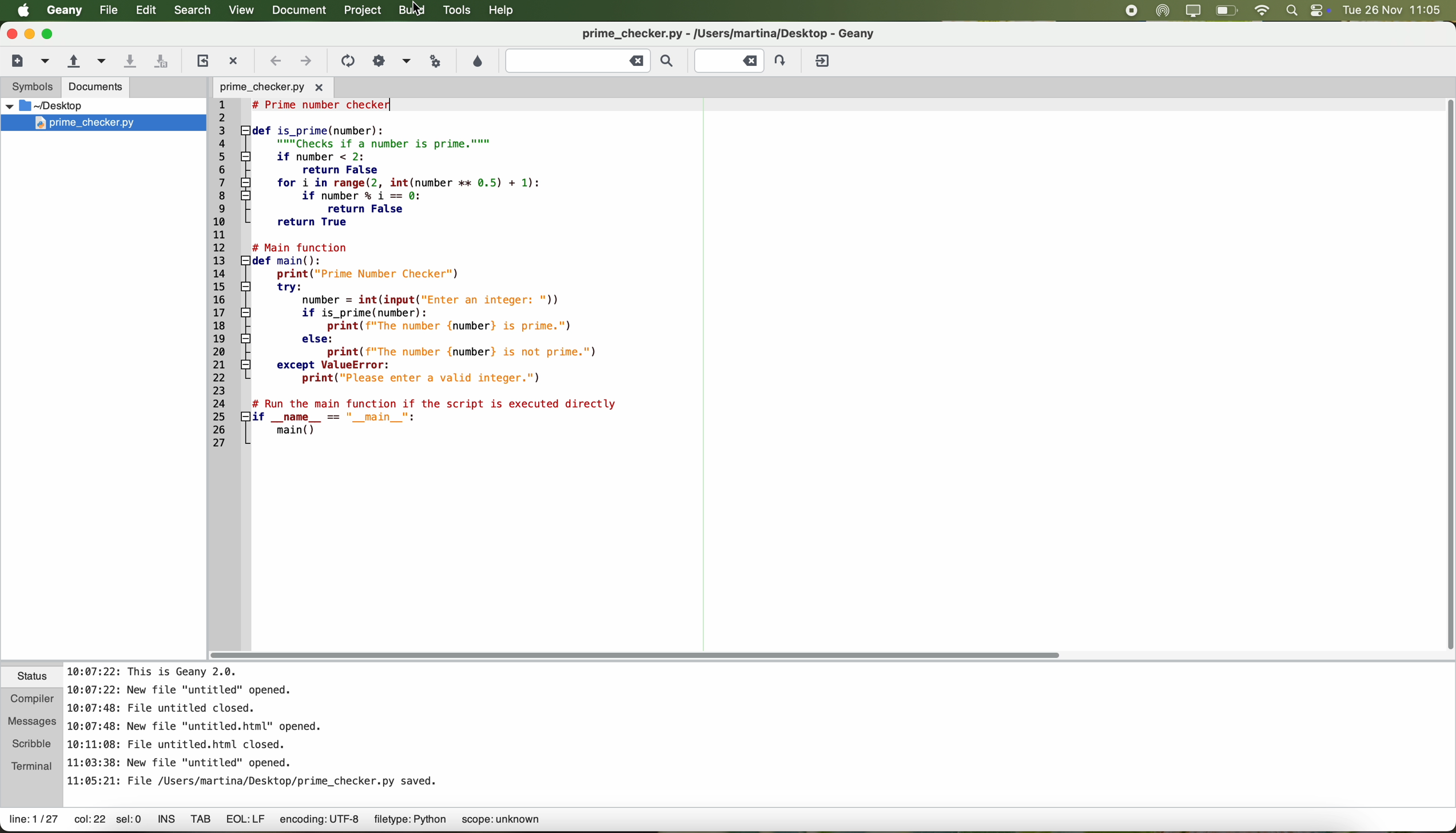 The height and width of the screenshot is (833, 1456). Describe the element at coordinates (424, 277) in the screenshot. I see `prime number checker code` at that location.